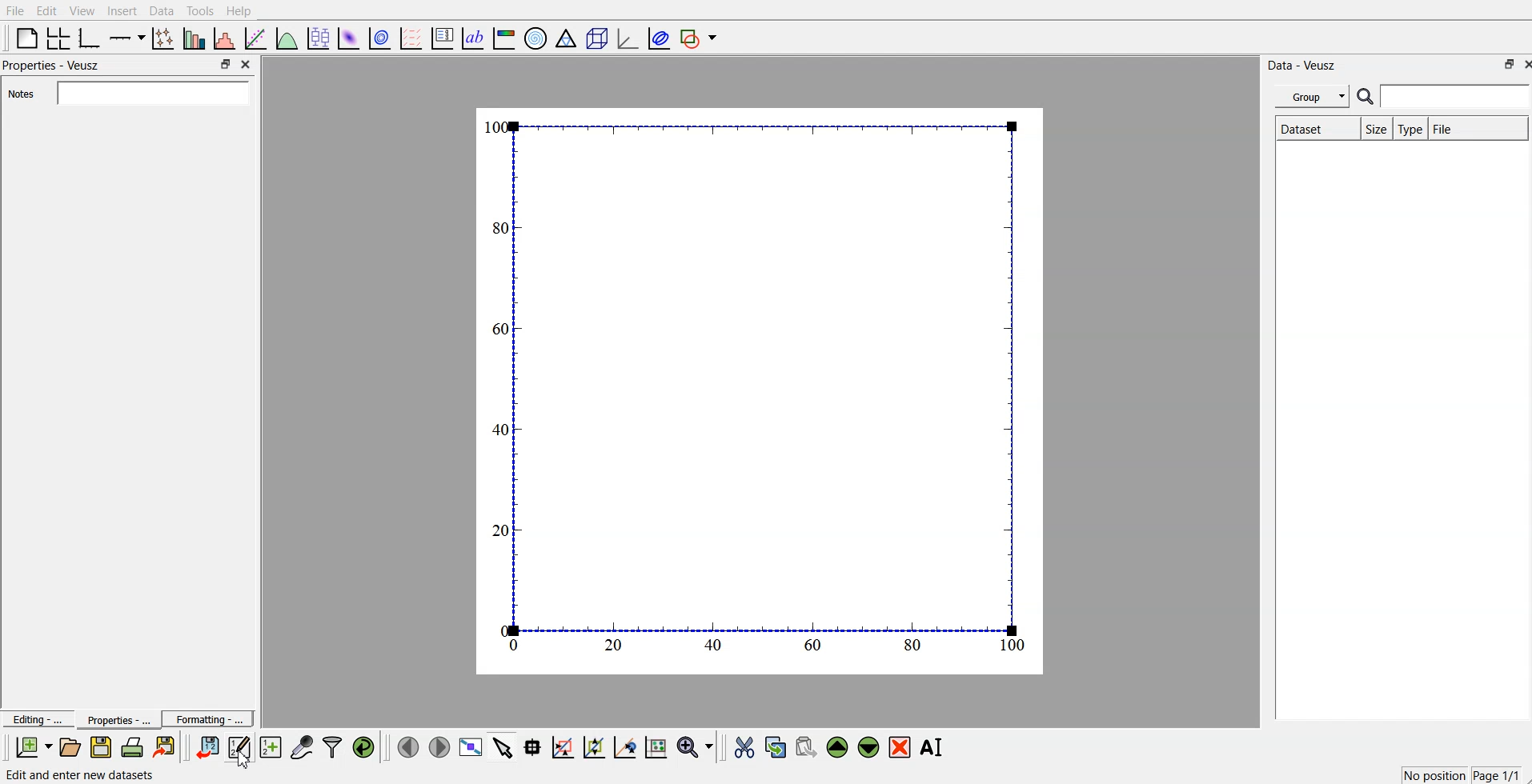 Image resolution: width=1532 pixels, height=784 pixels. Describe the element at coordinates (348, 37) in the screenshot. I see `plot a 2d dataset as an` at that location.